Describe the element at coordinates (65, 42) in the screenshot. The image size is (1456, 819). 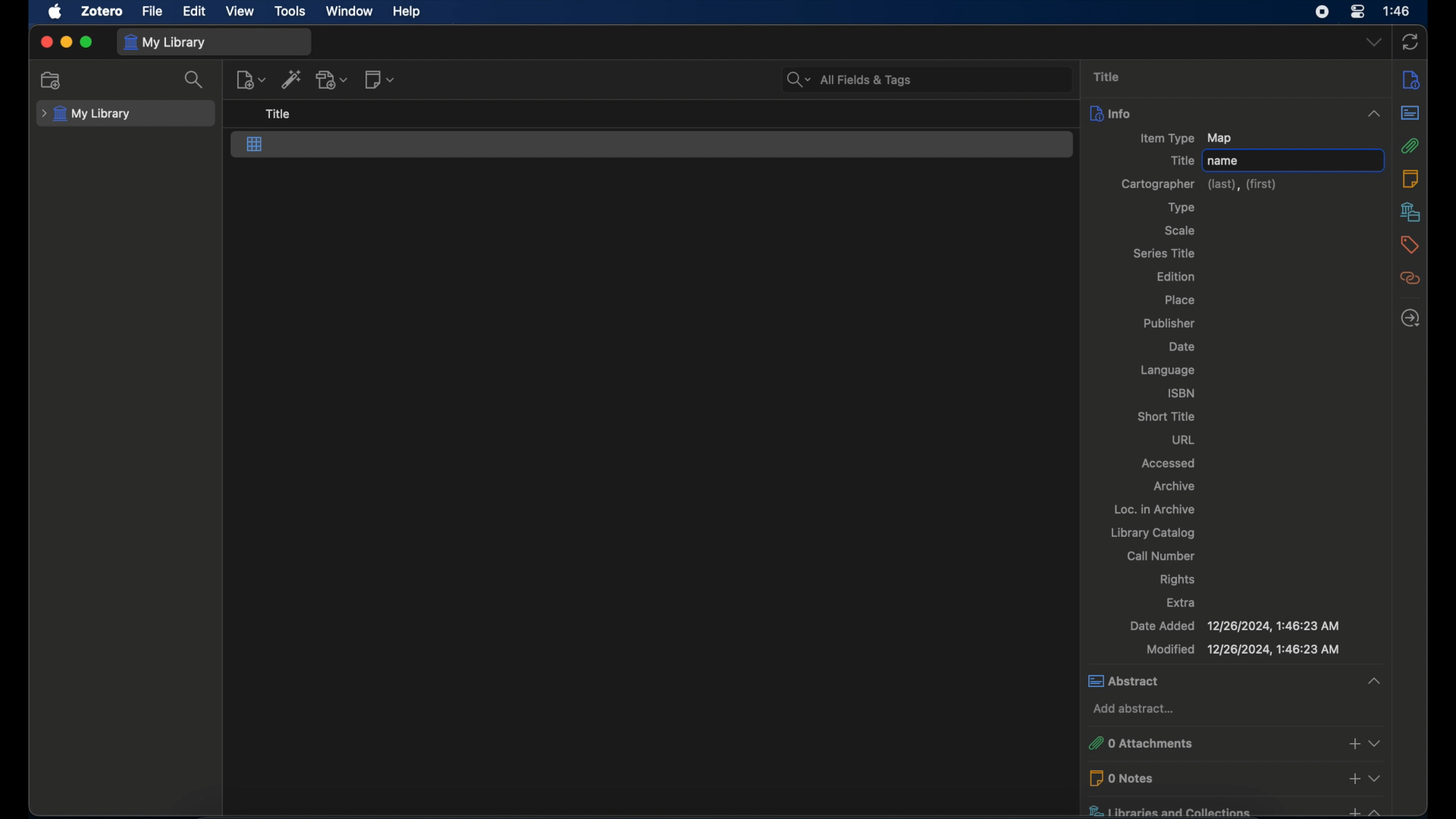
I see `minimize` at that location.